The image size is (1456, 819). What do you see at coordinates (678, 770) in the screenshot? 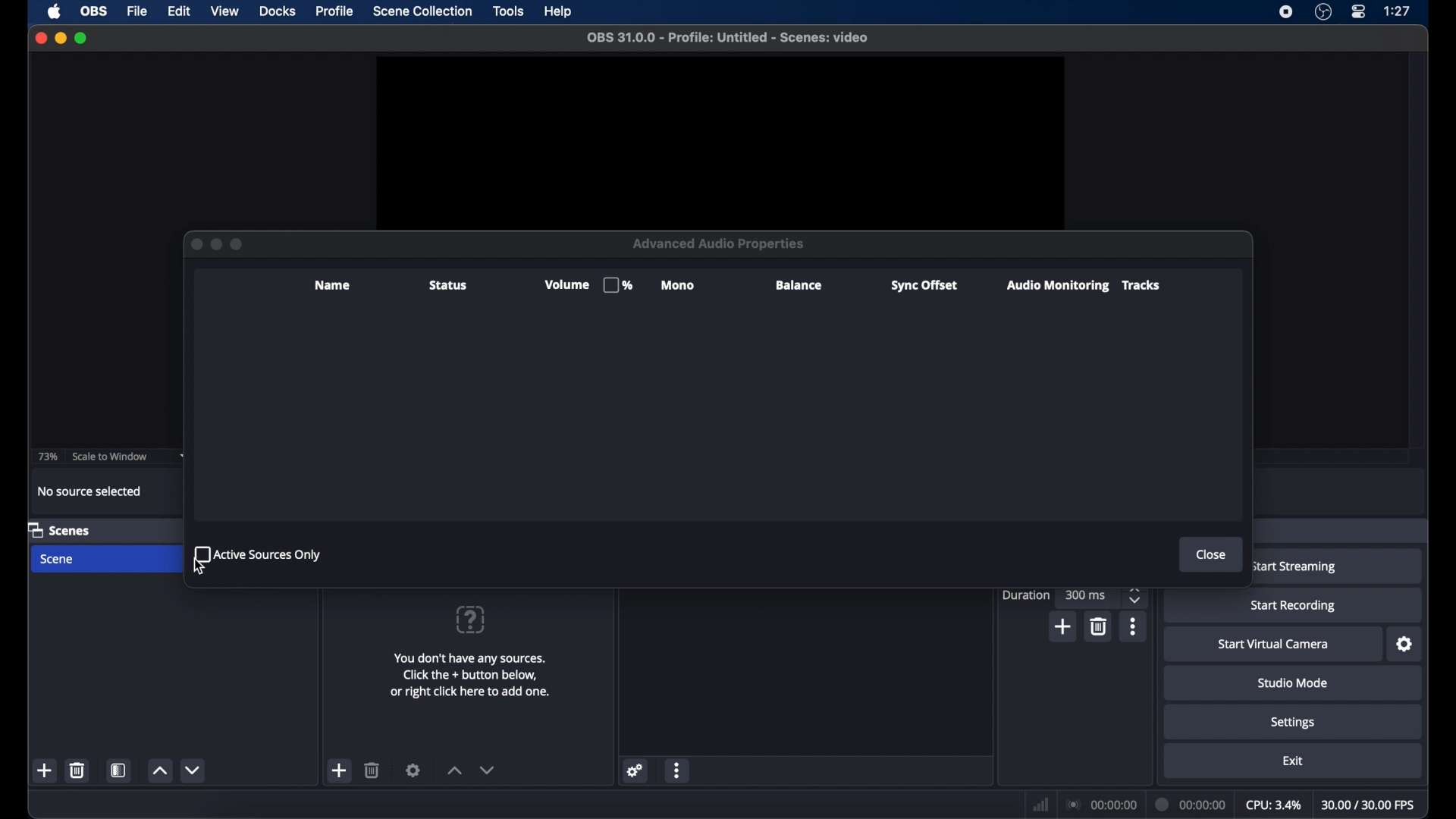
I see `more options` at bounding box center [678, 770].